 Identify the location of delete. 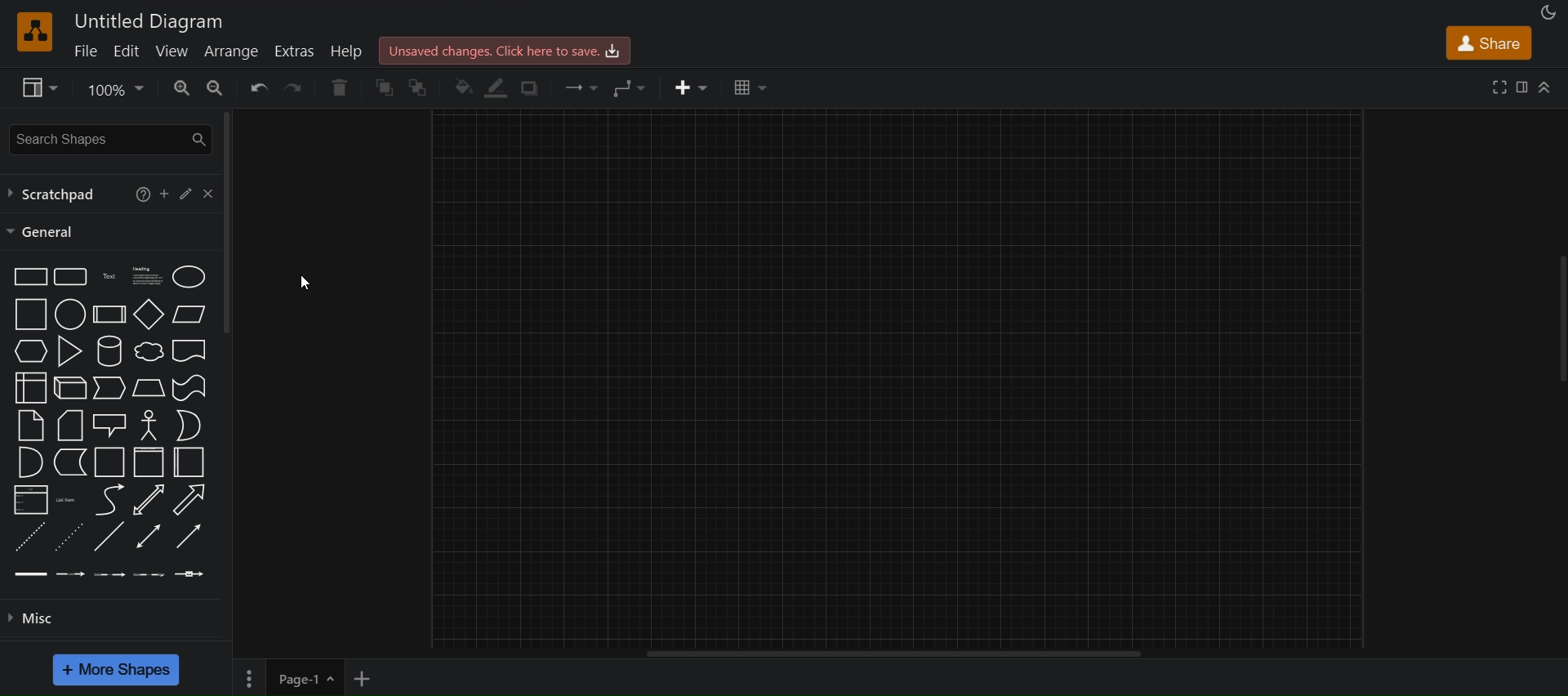
(339, 87).